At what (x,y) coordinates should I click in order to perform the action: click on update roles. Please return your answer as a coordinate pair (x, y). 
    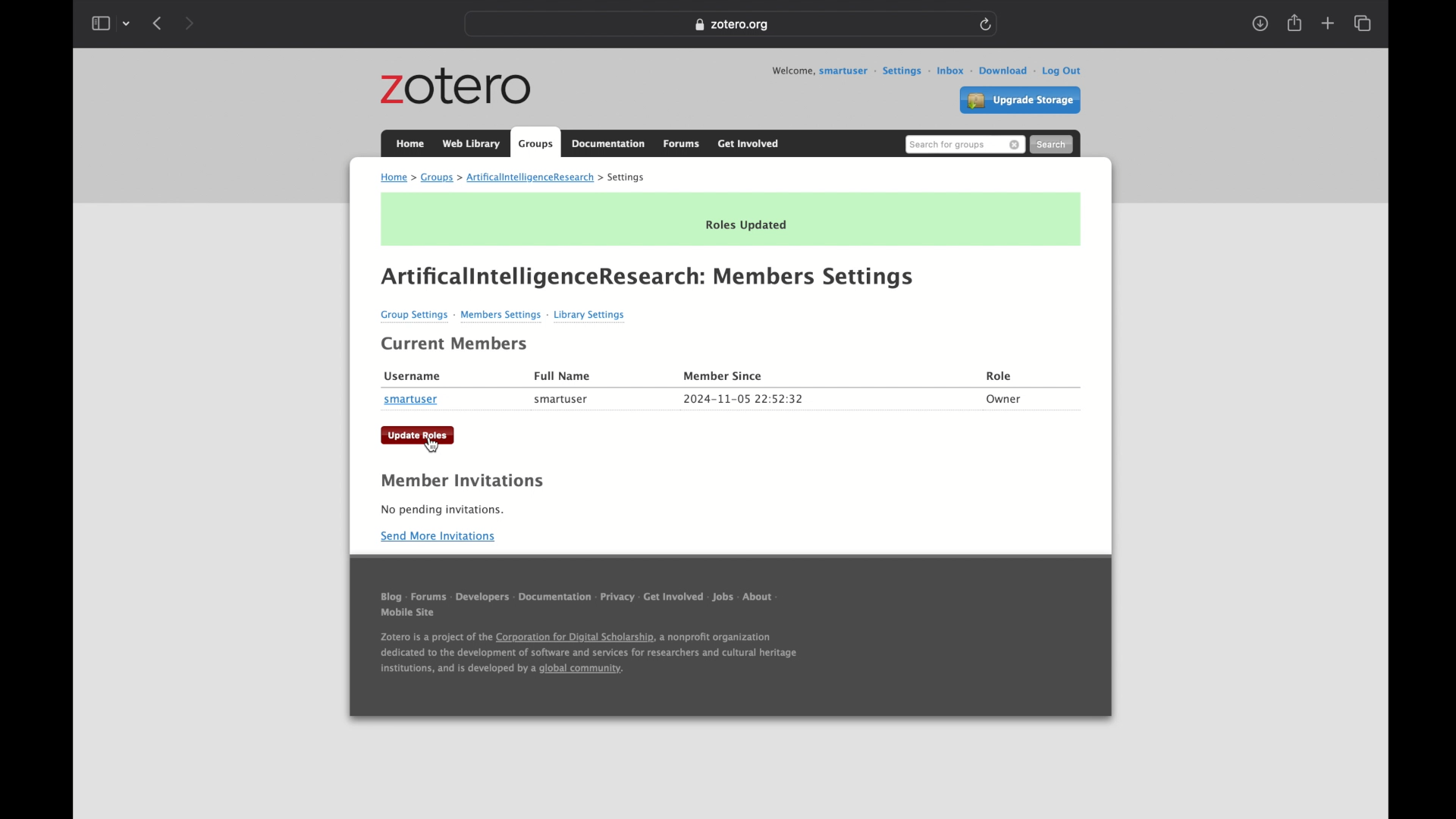
    Looking at the image, I should click on (419, 435).